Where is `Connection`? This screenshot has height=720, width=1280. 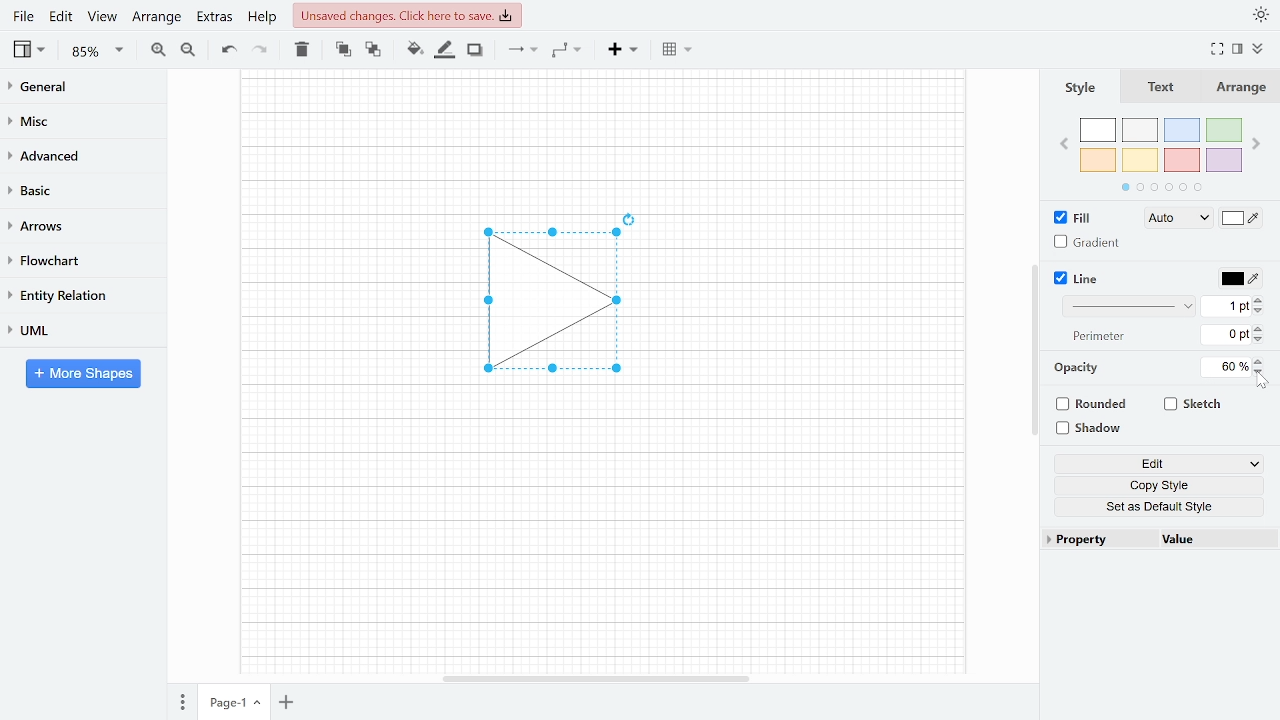 Connection is located at coordinates (522, 49).